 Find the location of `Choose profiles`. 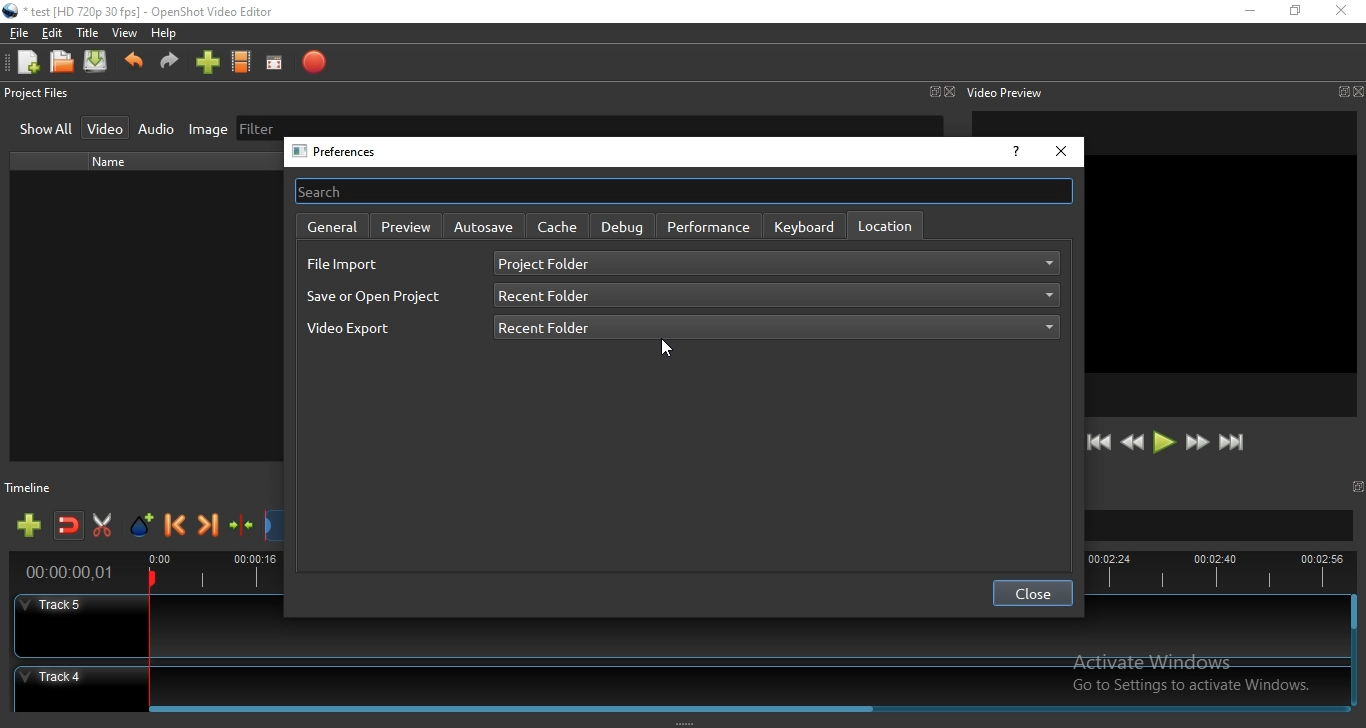

Choose profiles is located at coordinates (242, 63).